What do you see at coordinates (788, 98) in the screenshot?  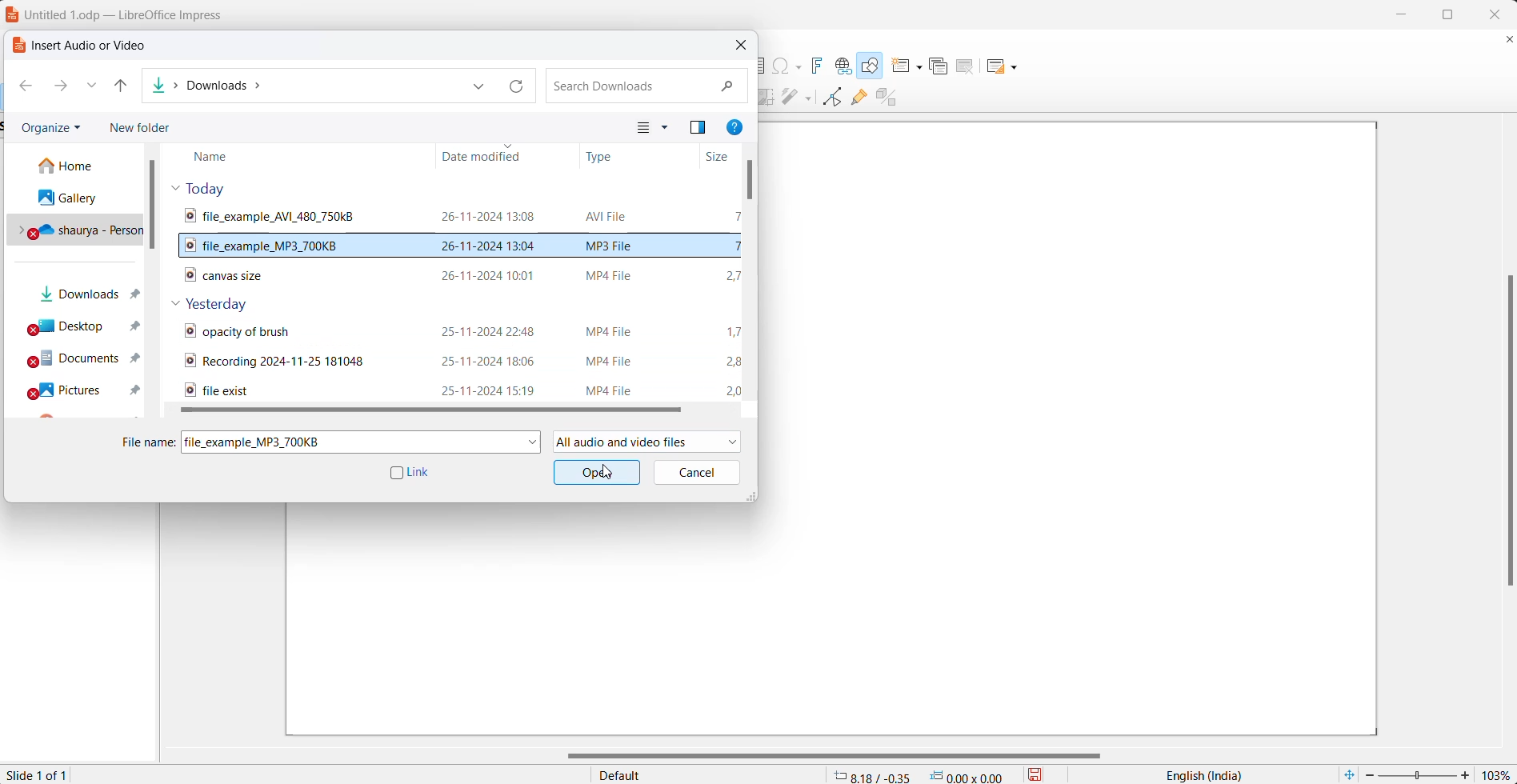 I see `filter ` at bounding box center [788, 98].